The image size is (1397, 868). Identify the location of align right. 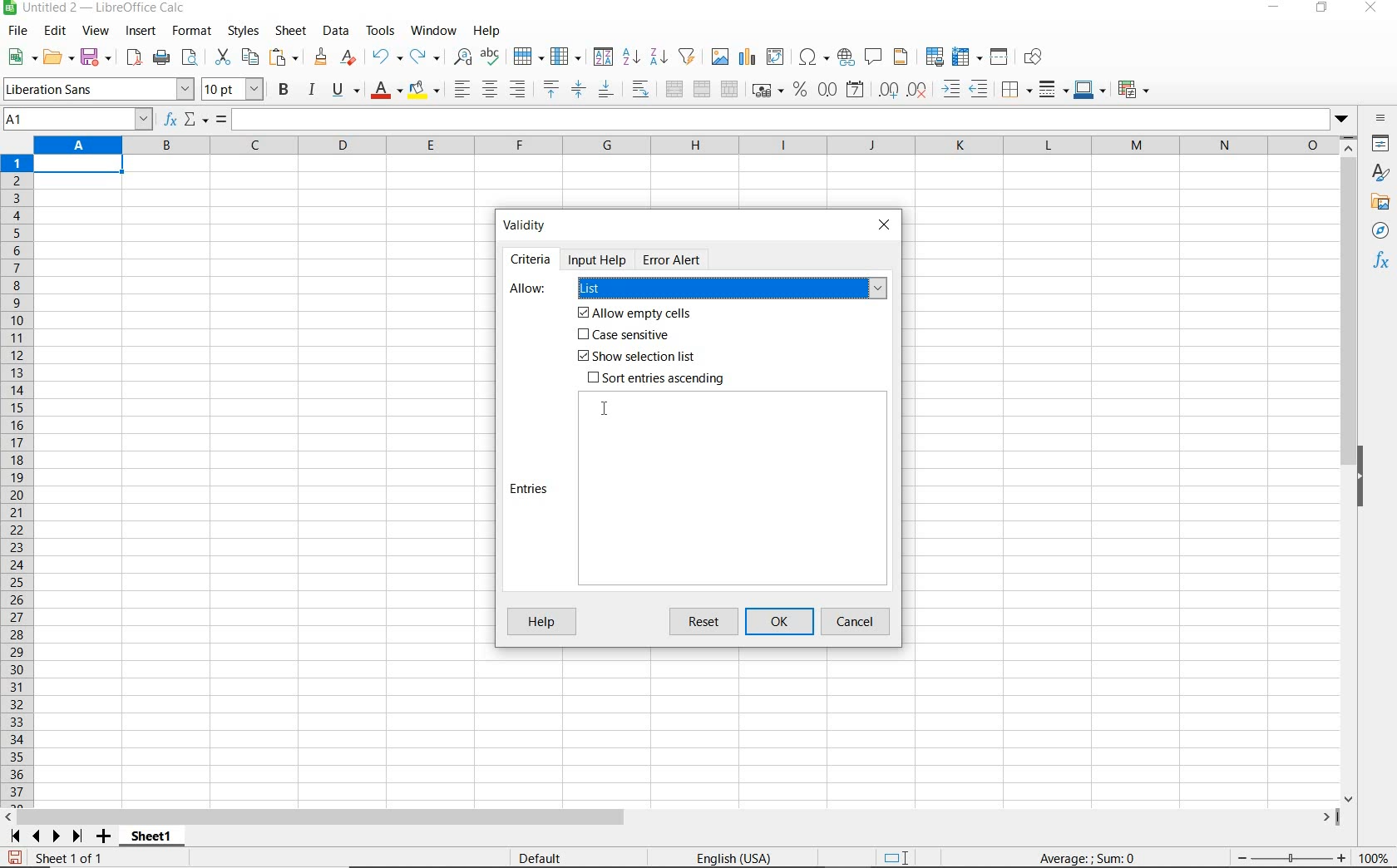
(519, 89).